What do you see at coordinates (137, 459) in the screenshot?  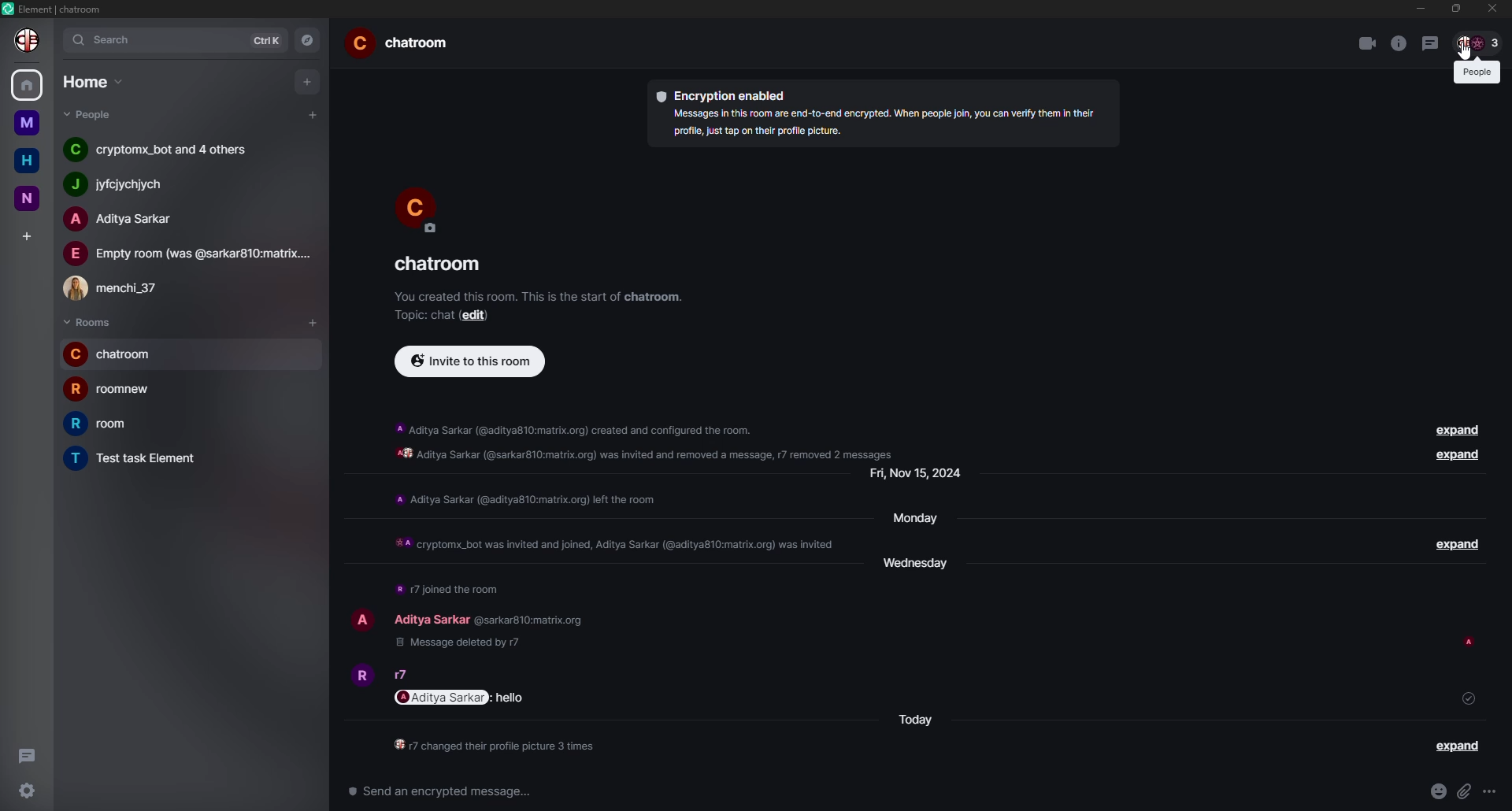 I see `room` at bounding box center [137, 459].